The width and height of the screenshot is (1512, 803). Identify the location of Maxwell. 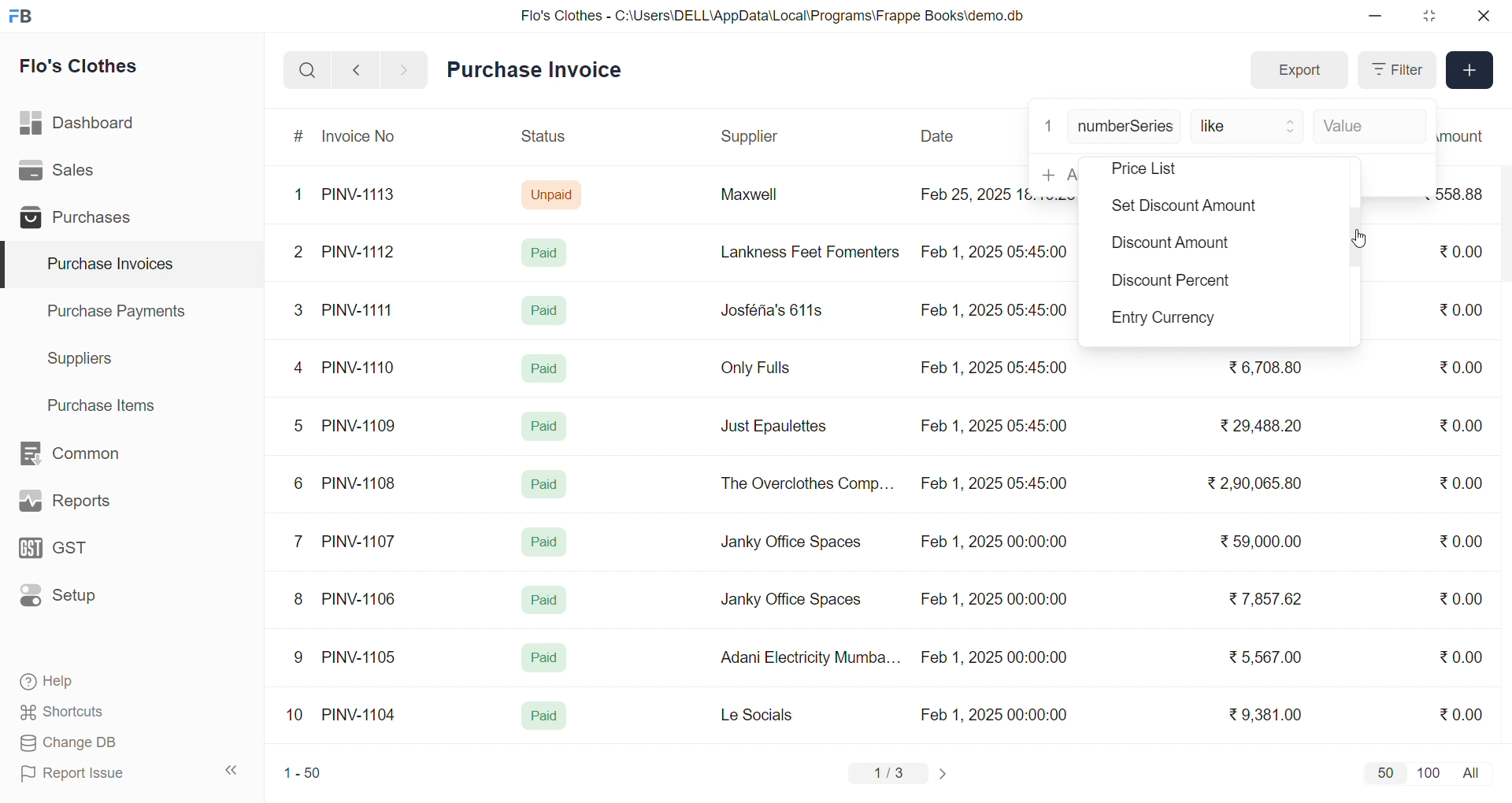
(767, 200).